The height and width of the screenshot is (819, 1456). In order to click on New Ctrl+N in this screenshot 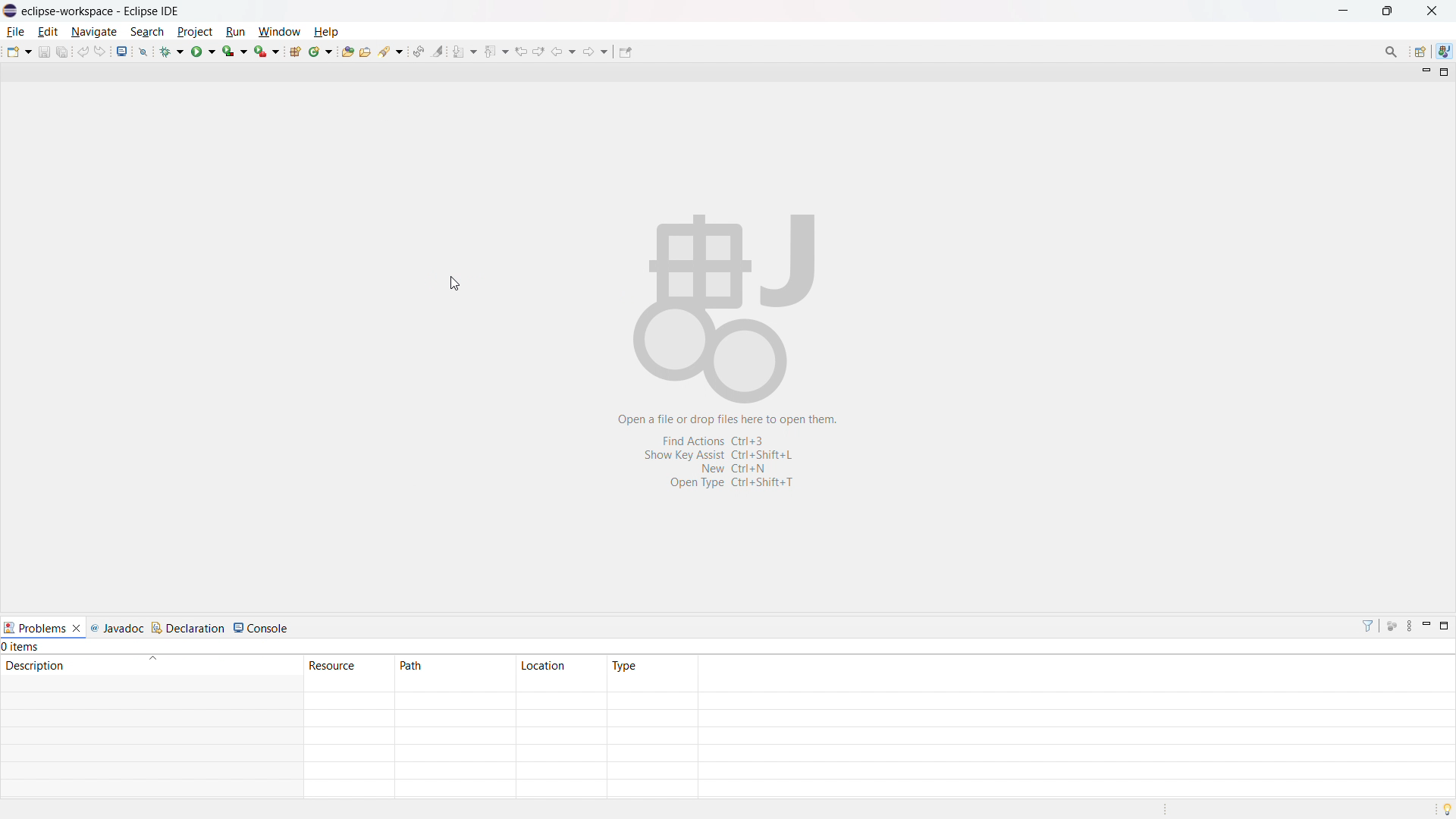, I will do `click(739, 467)`.